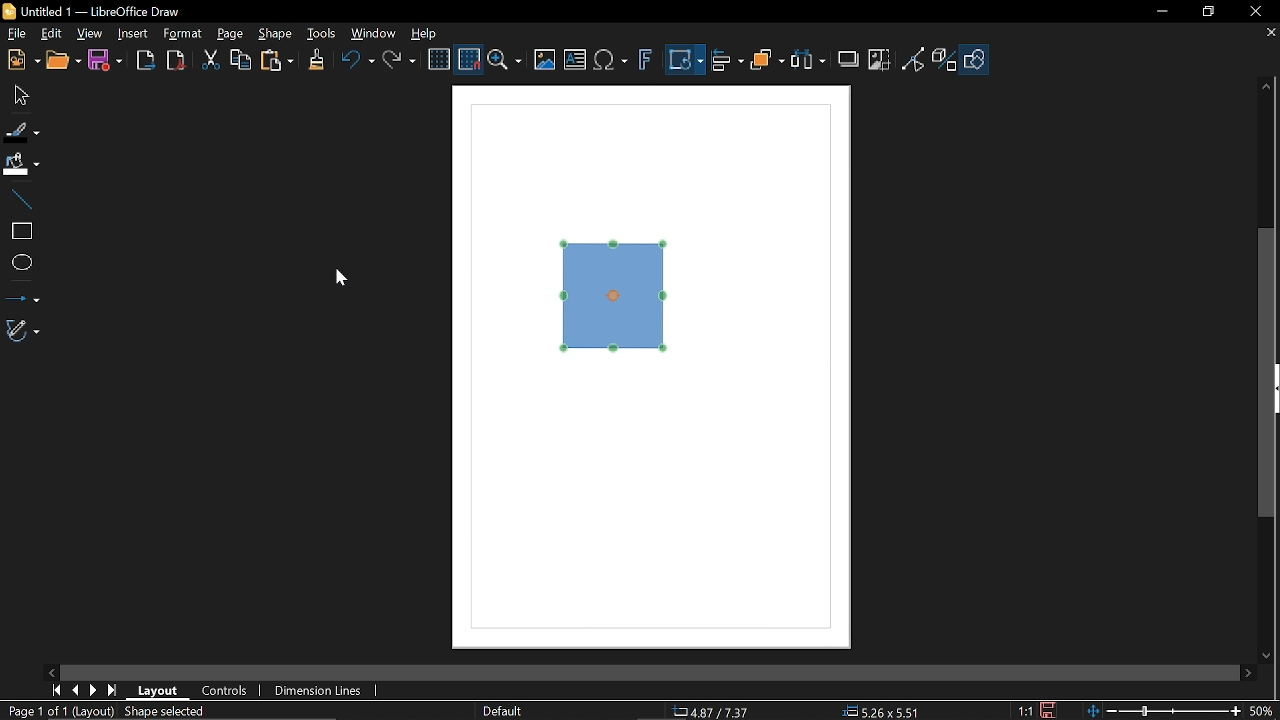 This screenshot has width=1280, height=720. I want to click on 1:1 (Scaling factor), so click(1026, 712).